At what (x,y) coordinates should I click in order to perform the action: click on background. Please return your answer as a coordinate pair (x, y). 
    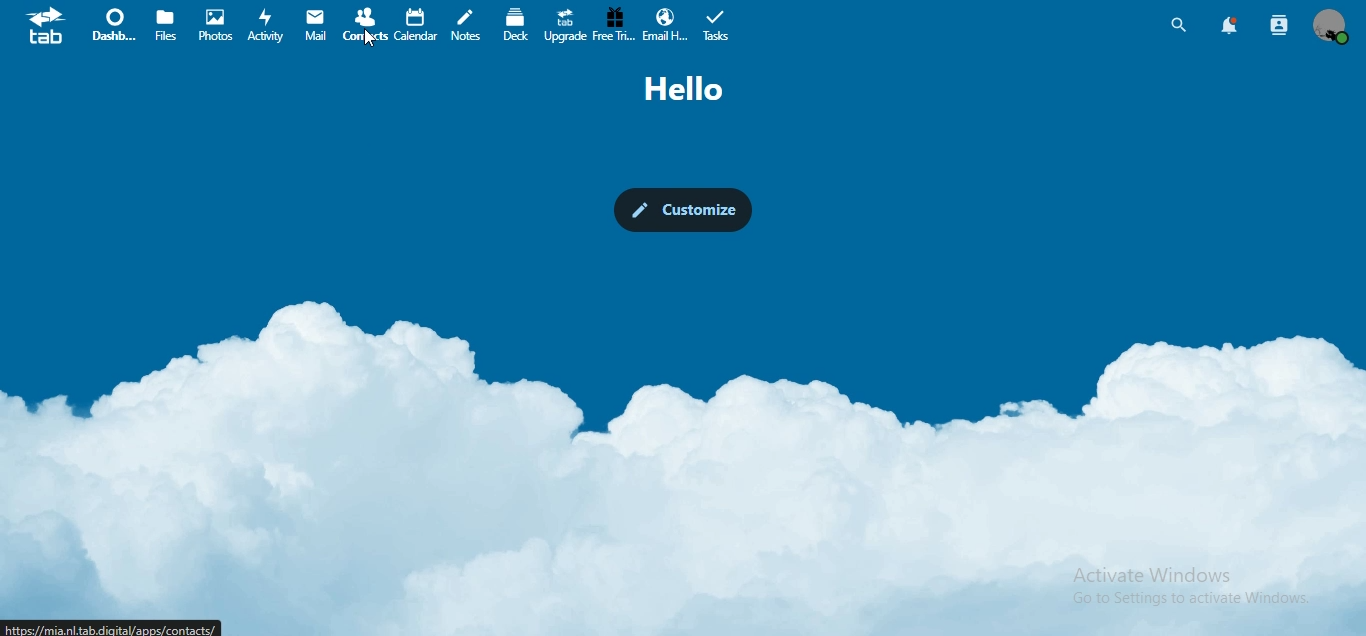
    Looking at the image, I should click on (685, 426).